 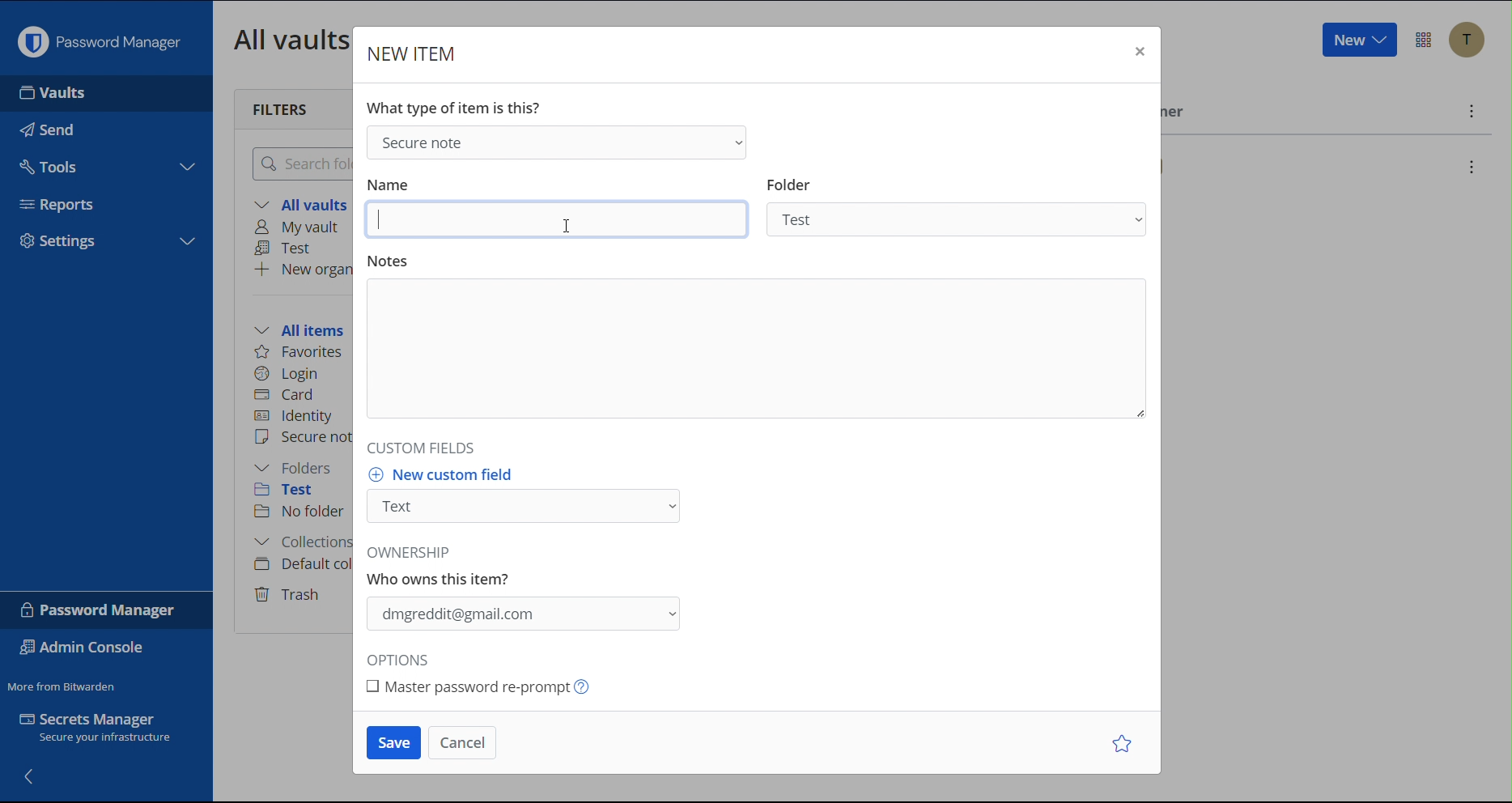 I want to click on Folder, so click(x=962, y=209).